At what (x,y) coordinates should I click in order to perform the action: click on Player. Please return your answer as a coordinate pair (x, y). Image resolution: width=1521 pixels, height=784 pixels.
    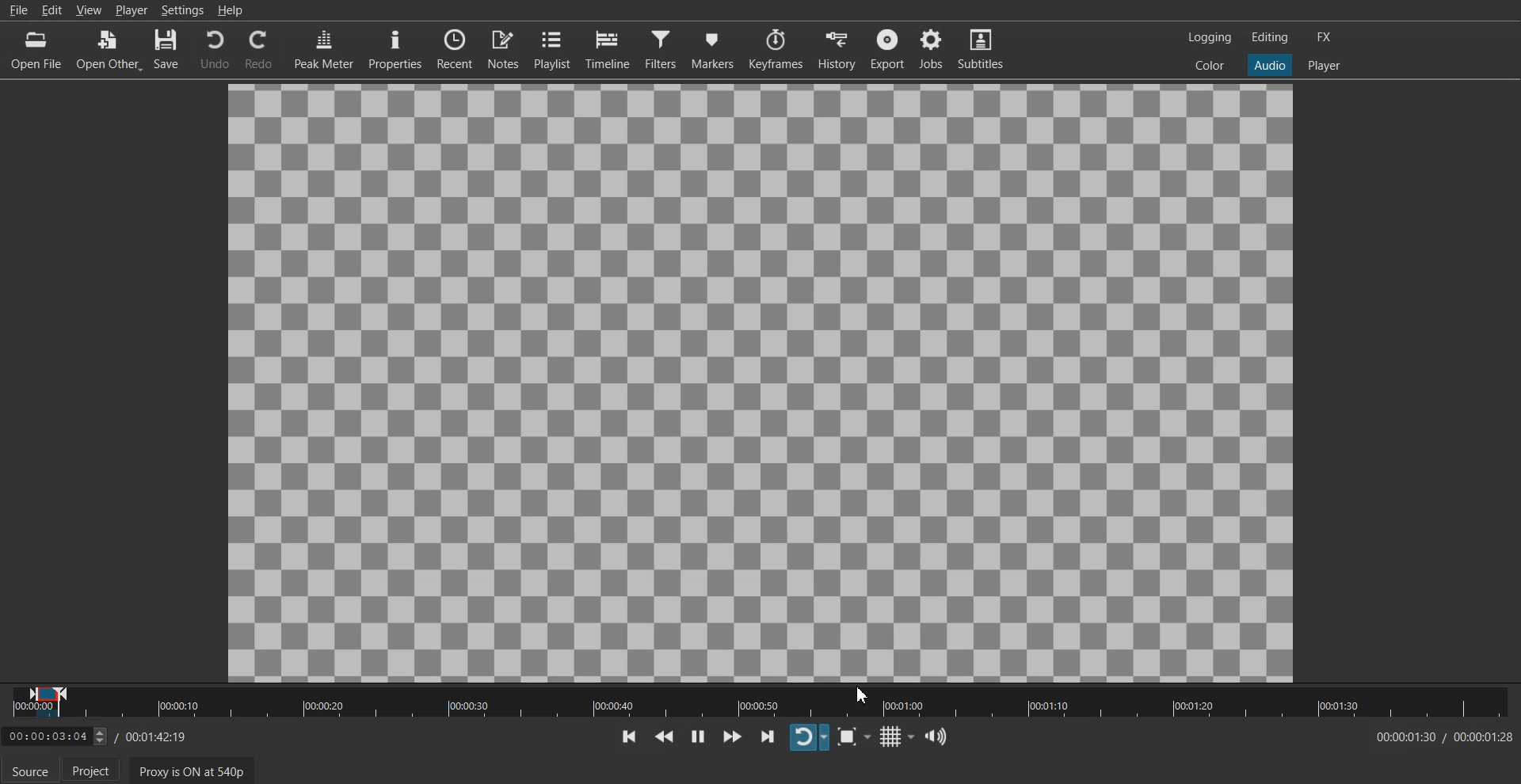
    Looking at the image, I should click on (1324, 64).